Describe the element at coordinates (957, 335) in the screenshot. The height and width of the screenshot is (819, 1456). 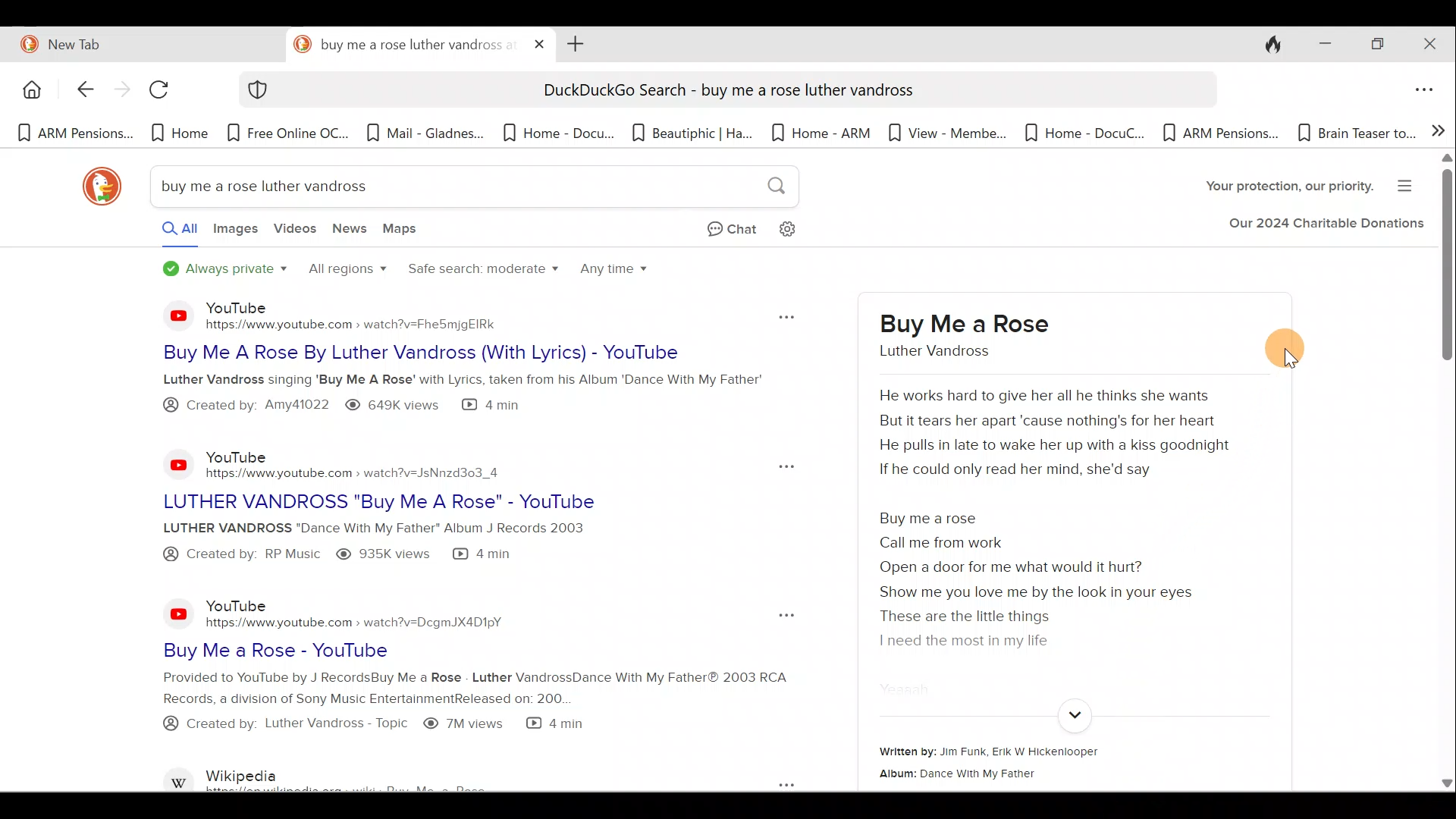
I see `buy me a rose luther vandross` at that location.